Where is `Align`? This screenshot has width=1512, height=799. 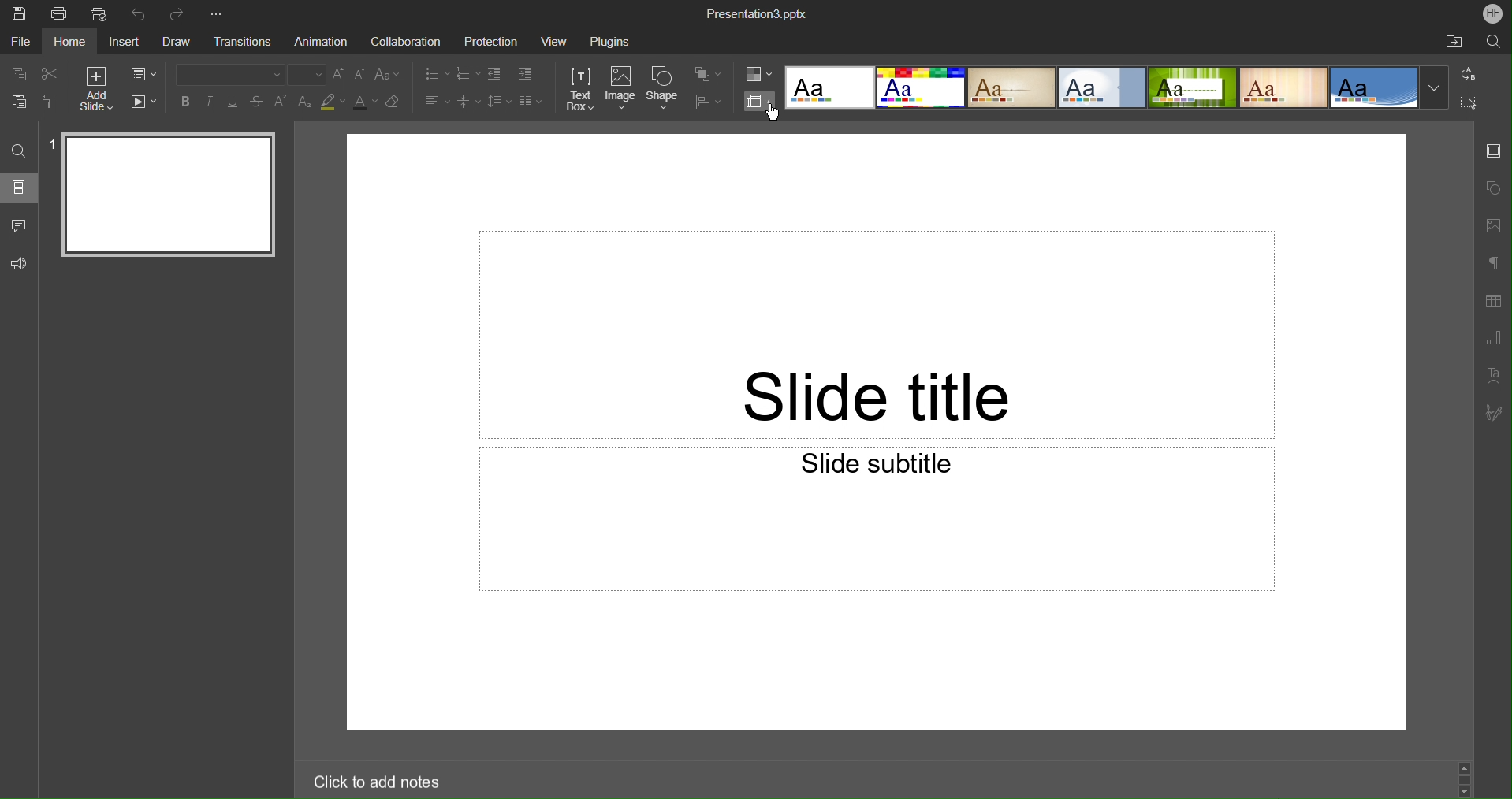
Align is located at coordinates (709, 102).